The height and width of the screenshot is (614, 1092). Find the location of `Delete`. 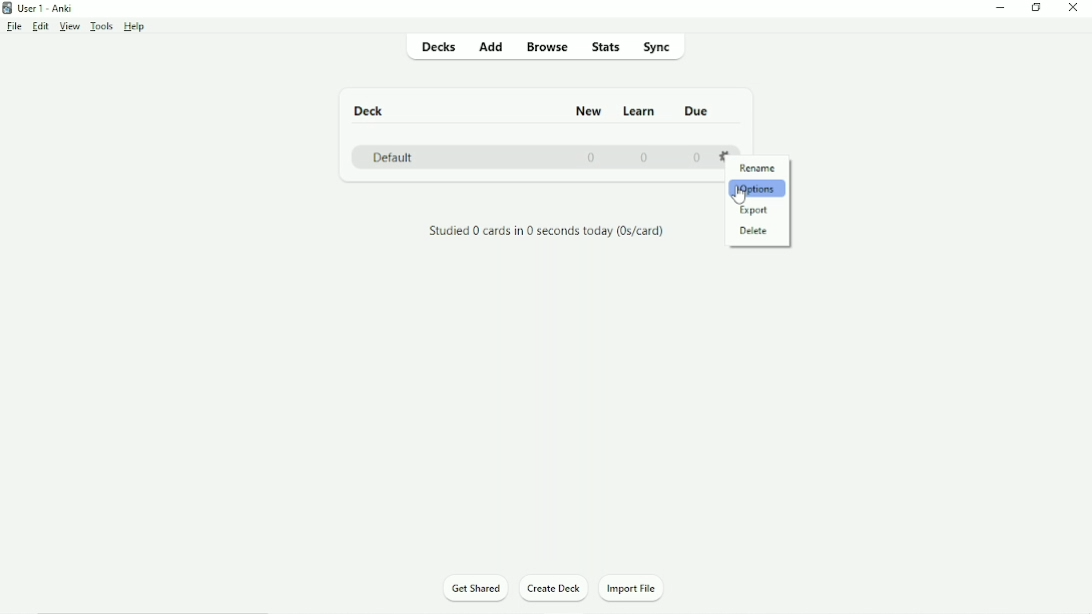

Delete is located at coordinates (753, 231).